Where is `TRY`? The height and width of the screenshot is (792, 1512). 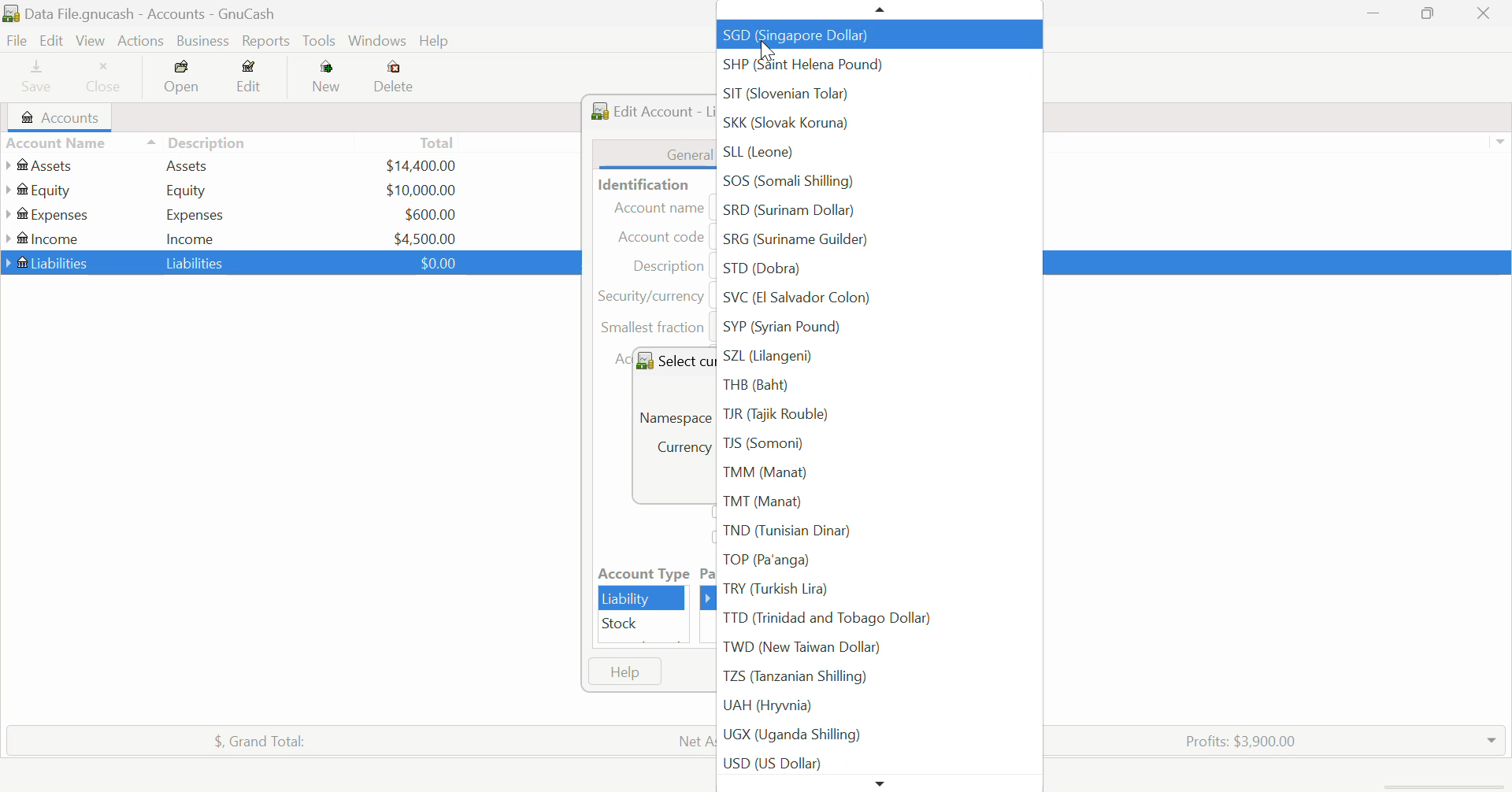 TRY is located at coordinates (876, 589).